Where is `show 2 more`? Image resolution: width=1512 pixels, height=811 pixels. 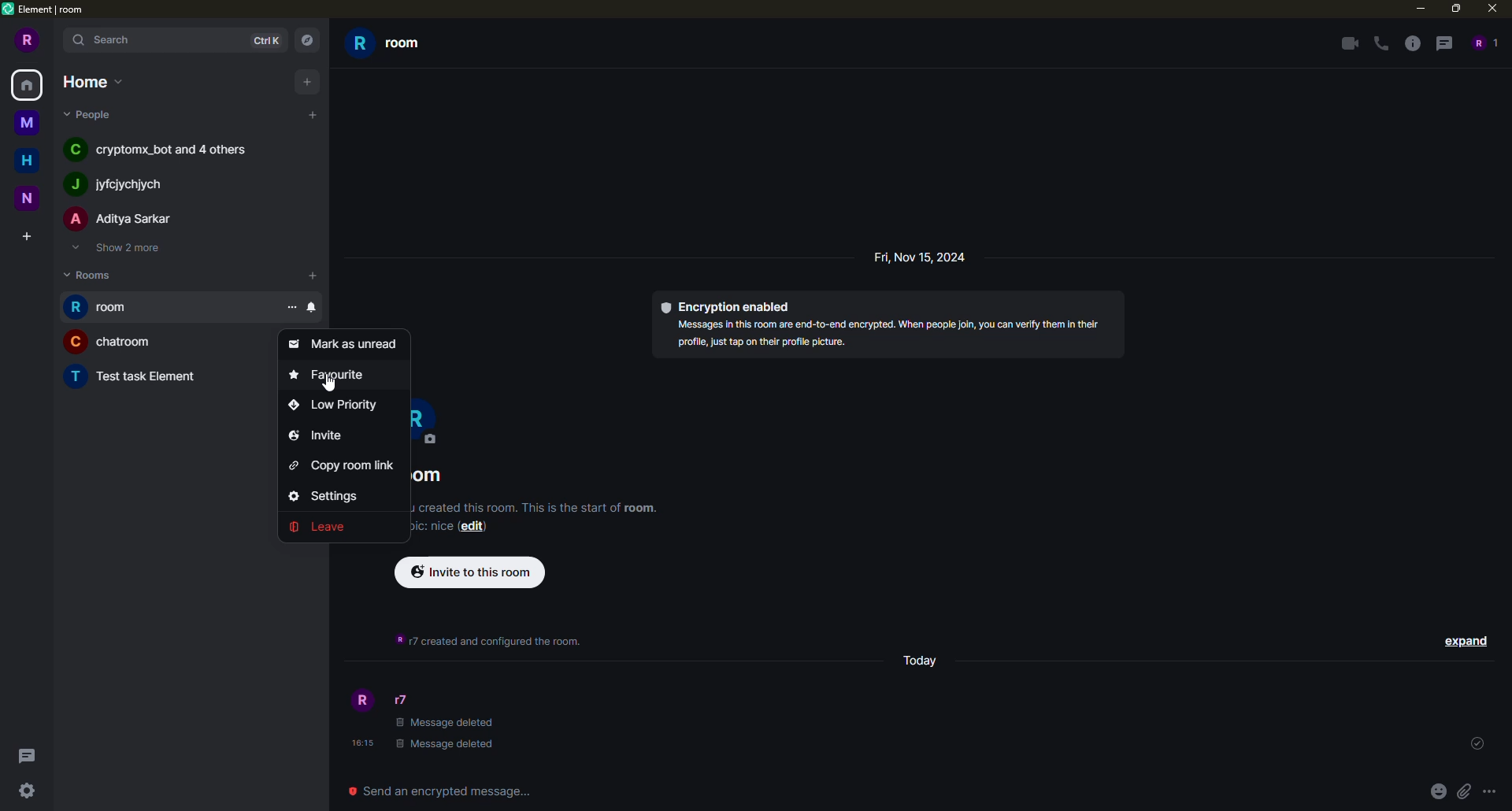 show 2 more is located at coordinates (120, 249).